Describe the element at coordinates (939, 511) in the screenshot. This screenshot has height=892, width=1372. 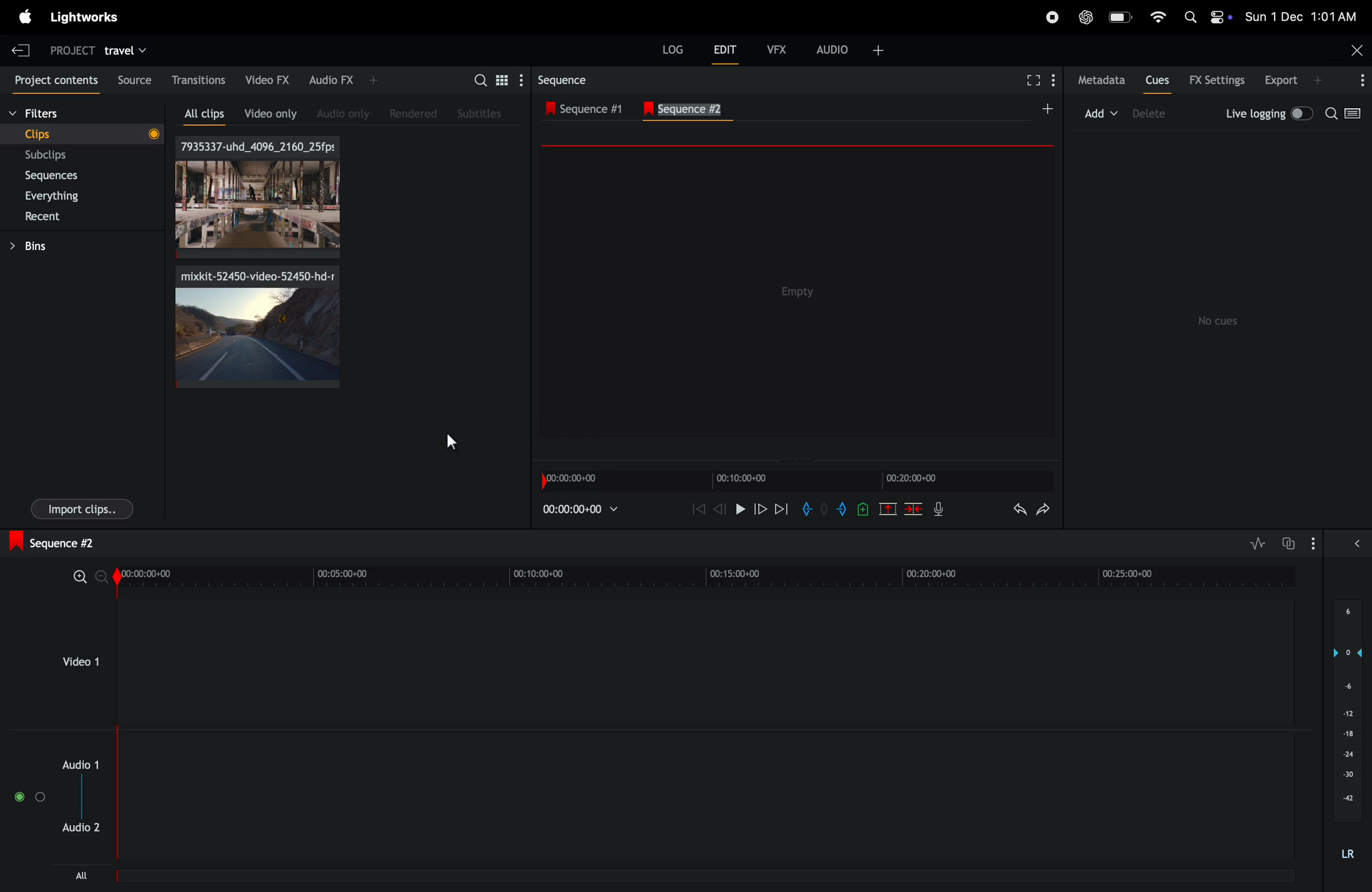
I see `mic` at that location.